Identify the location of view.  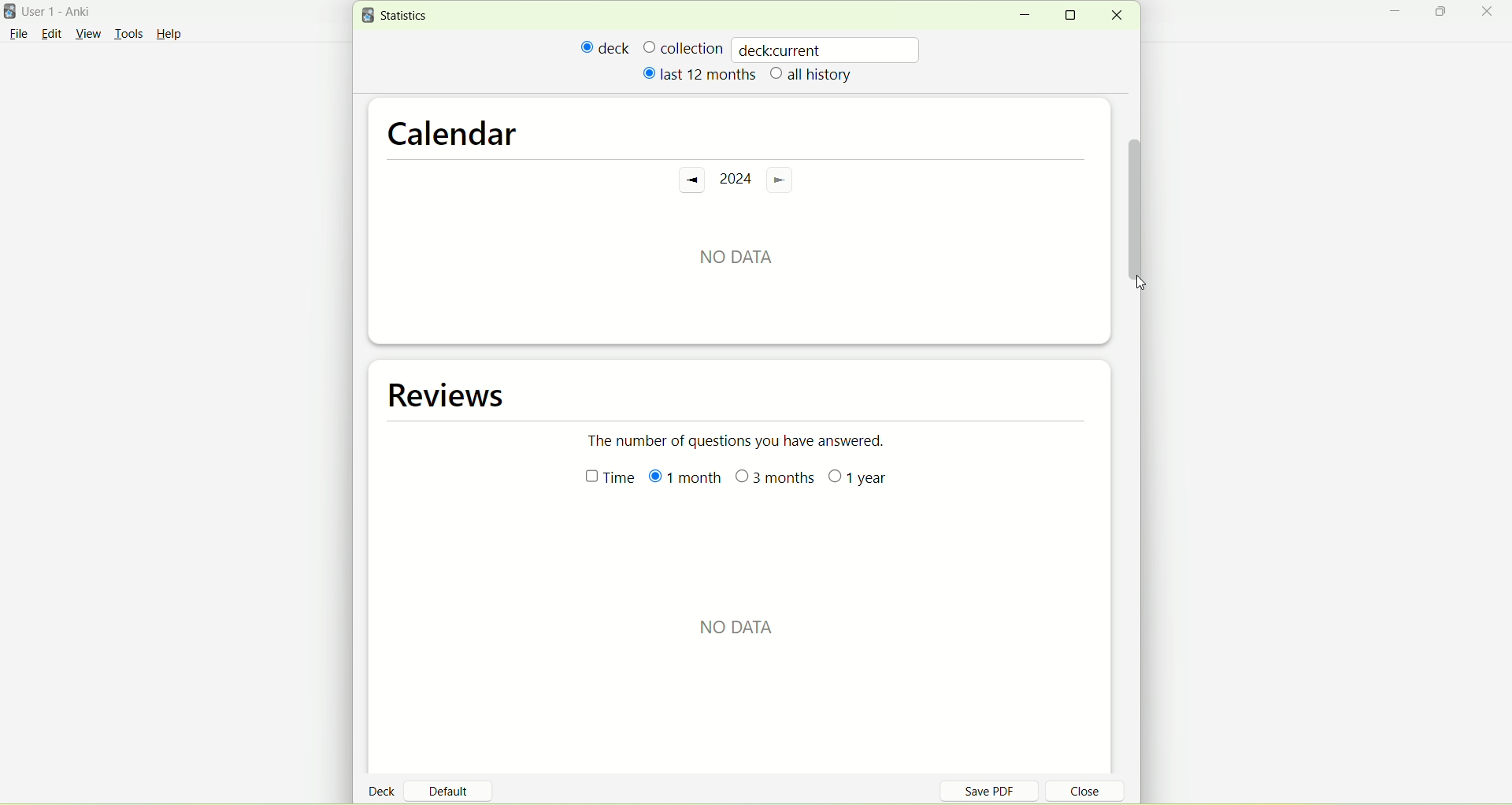
(91, 35).